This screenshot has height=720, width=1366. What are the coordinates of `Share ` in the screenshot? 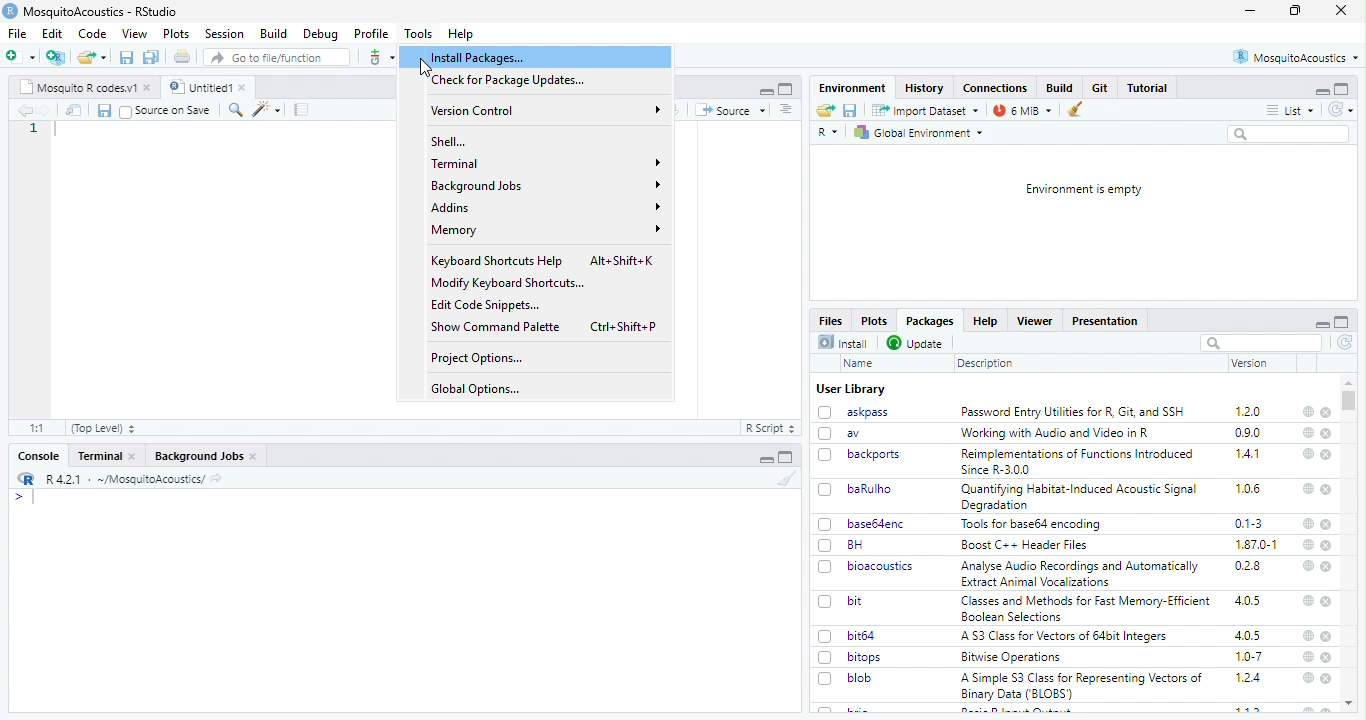 It's located at (74, 110).